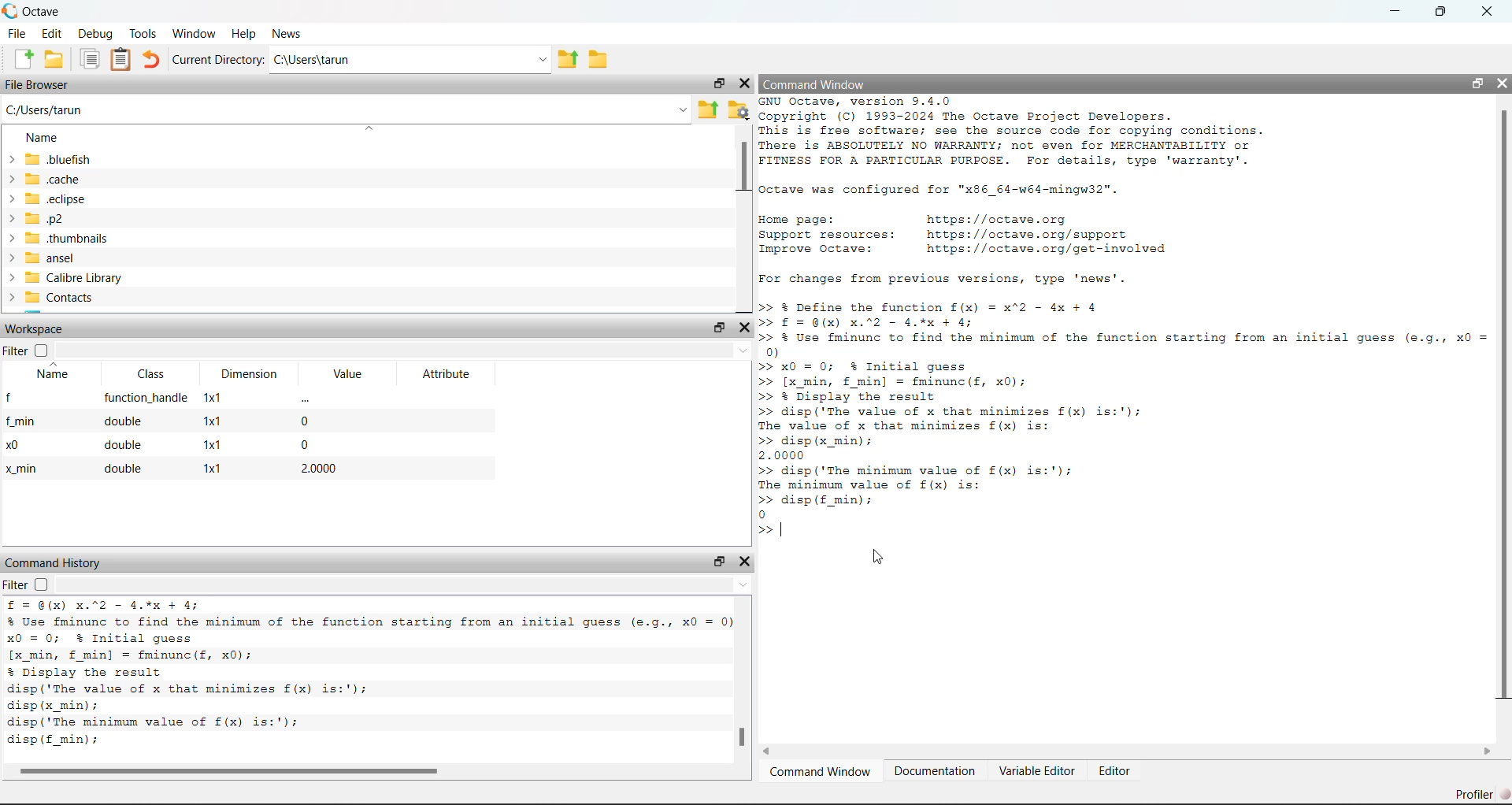 This screenshot has height=805, width=1512. I want to click on Value, so click(353, 376).